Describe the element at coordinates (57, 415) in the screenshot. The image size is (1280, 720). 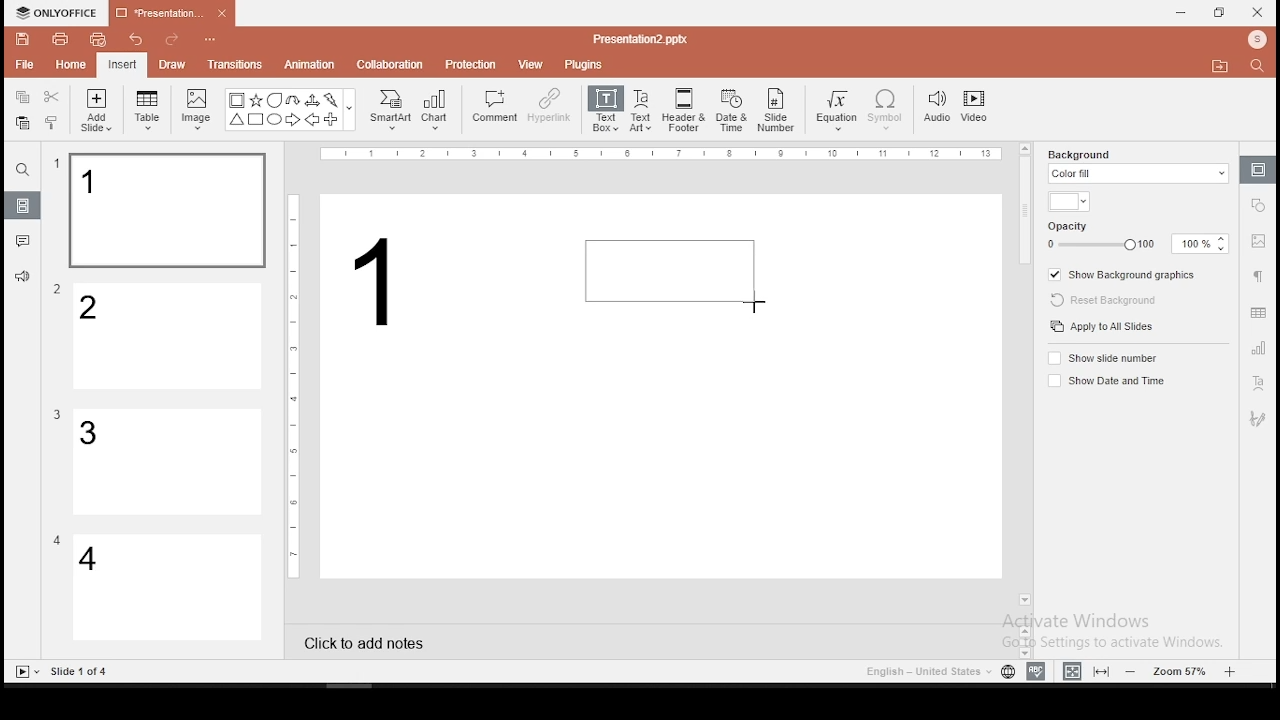
I see `` at that location.